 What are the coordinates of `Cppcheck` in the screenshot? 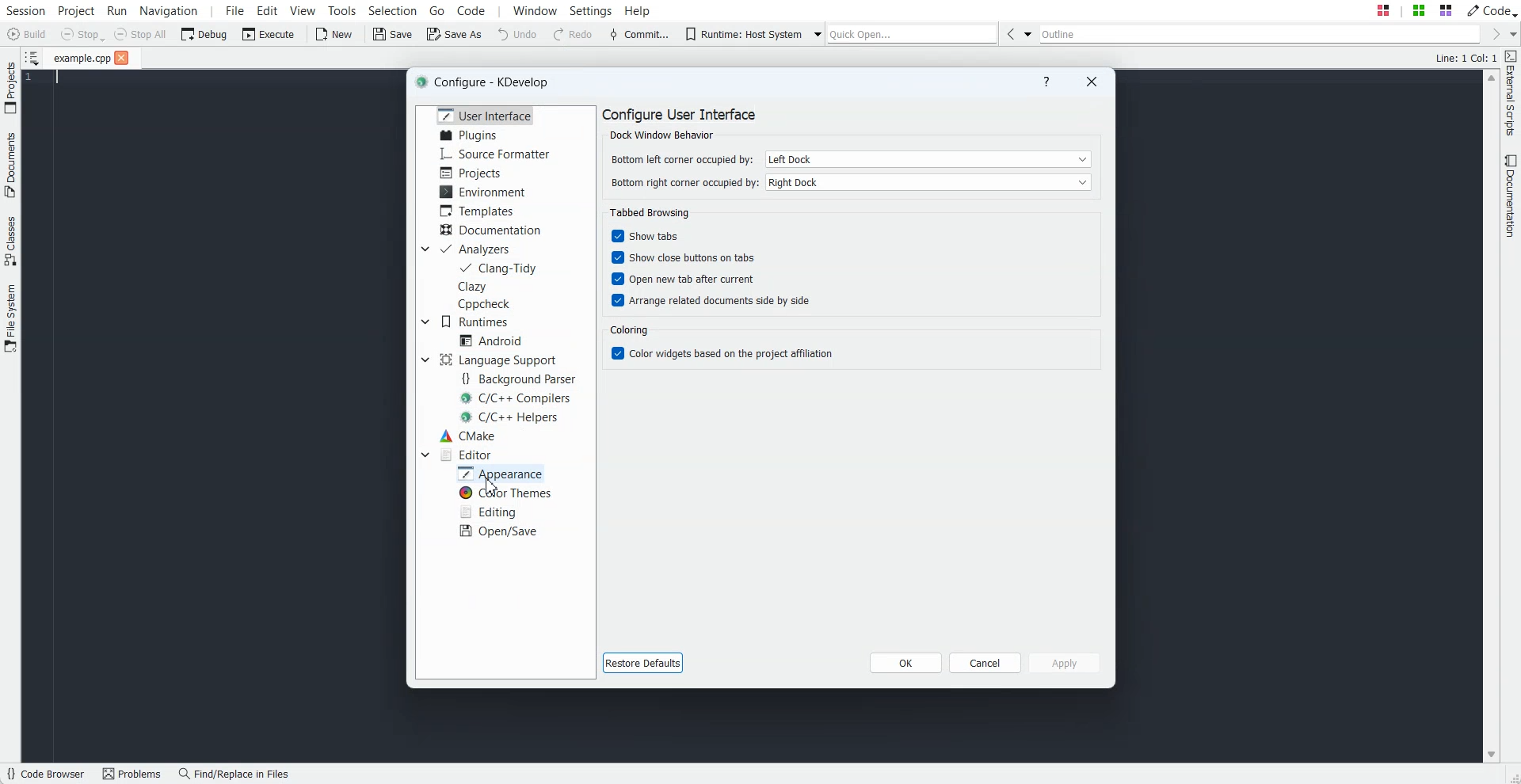 It's located at (483, 304).